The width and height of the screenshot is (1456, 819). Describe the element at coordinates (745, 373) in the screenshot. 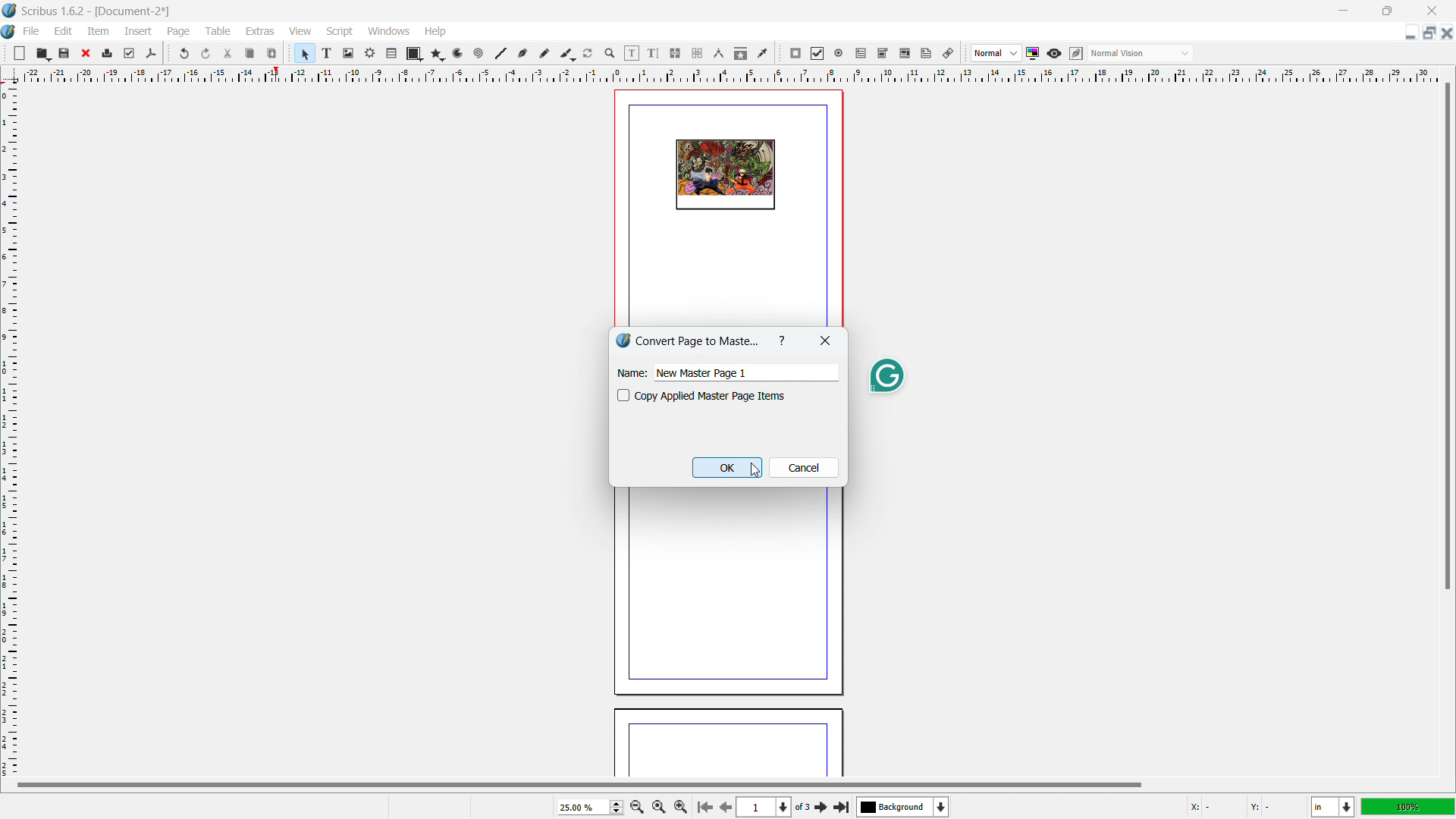

I see `edit new master page name` at that location.